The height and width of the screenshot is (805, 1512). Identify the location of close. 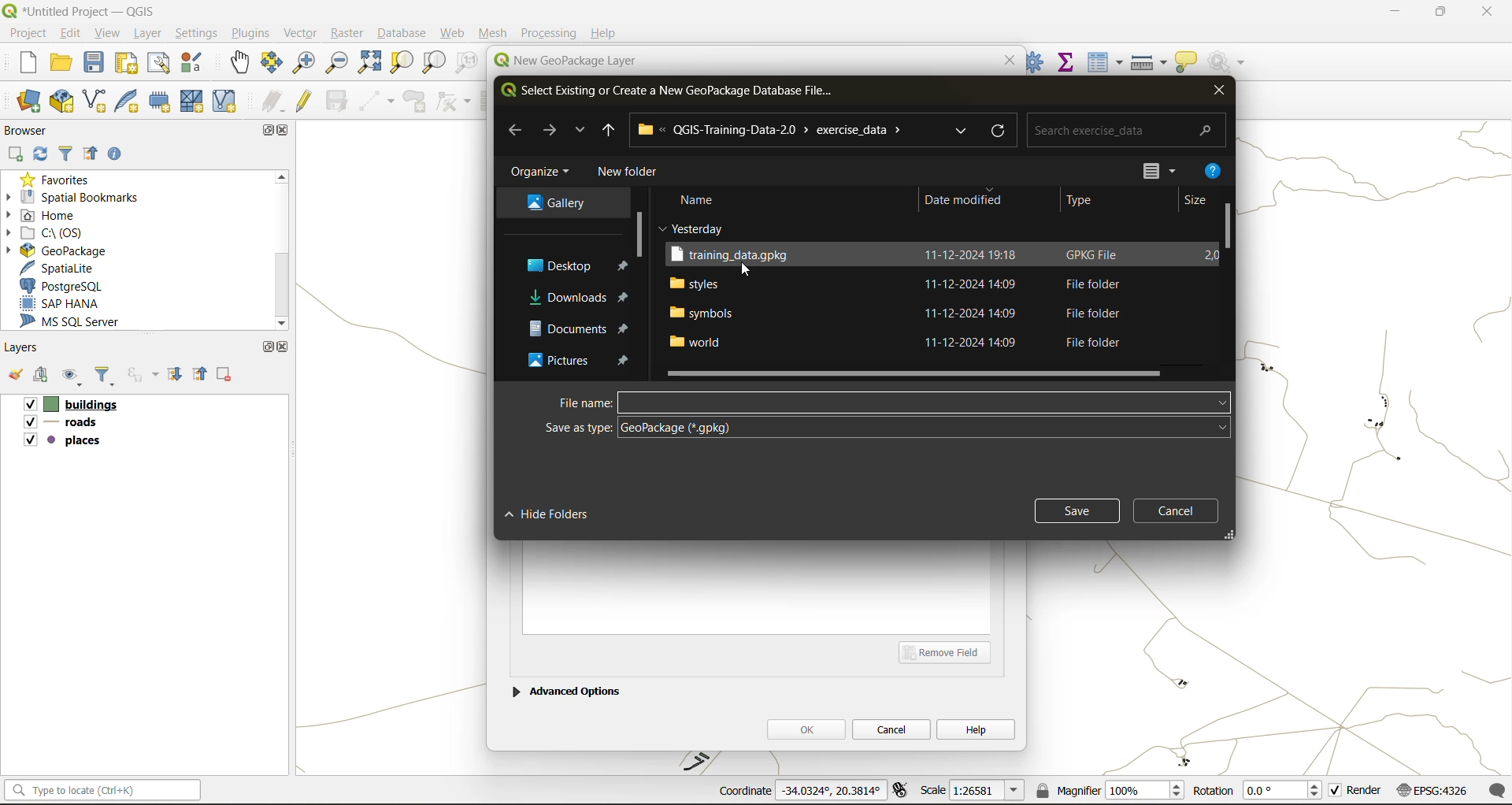
(286, 132).